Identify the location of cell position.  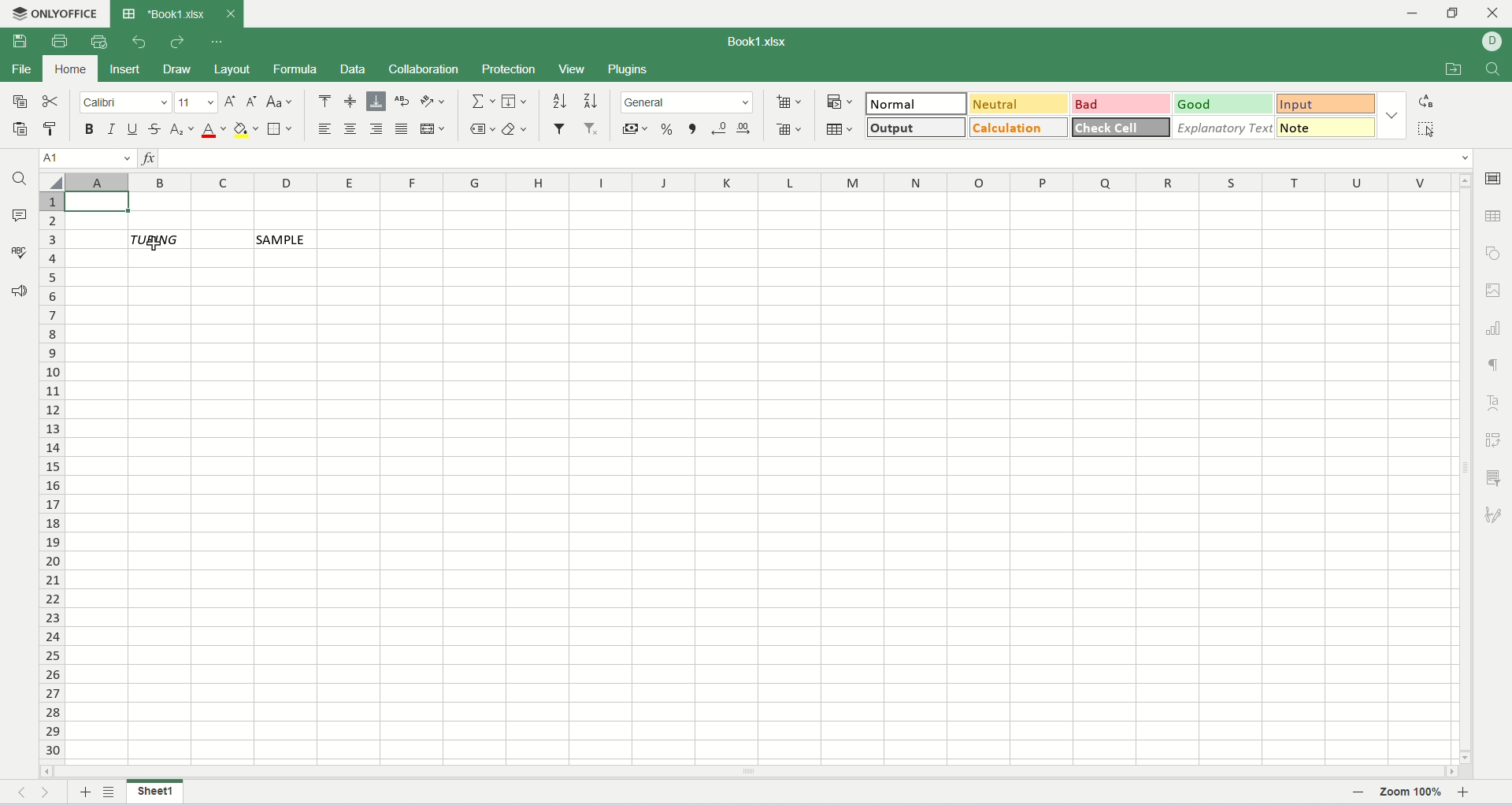
(90, 158).